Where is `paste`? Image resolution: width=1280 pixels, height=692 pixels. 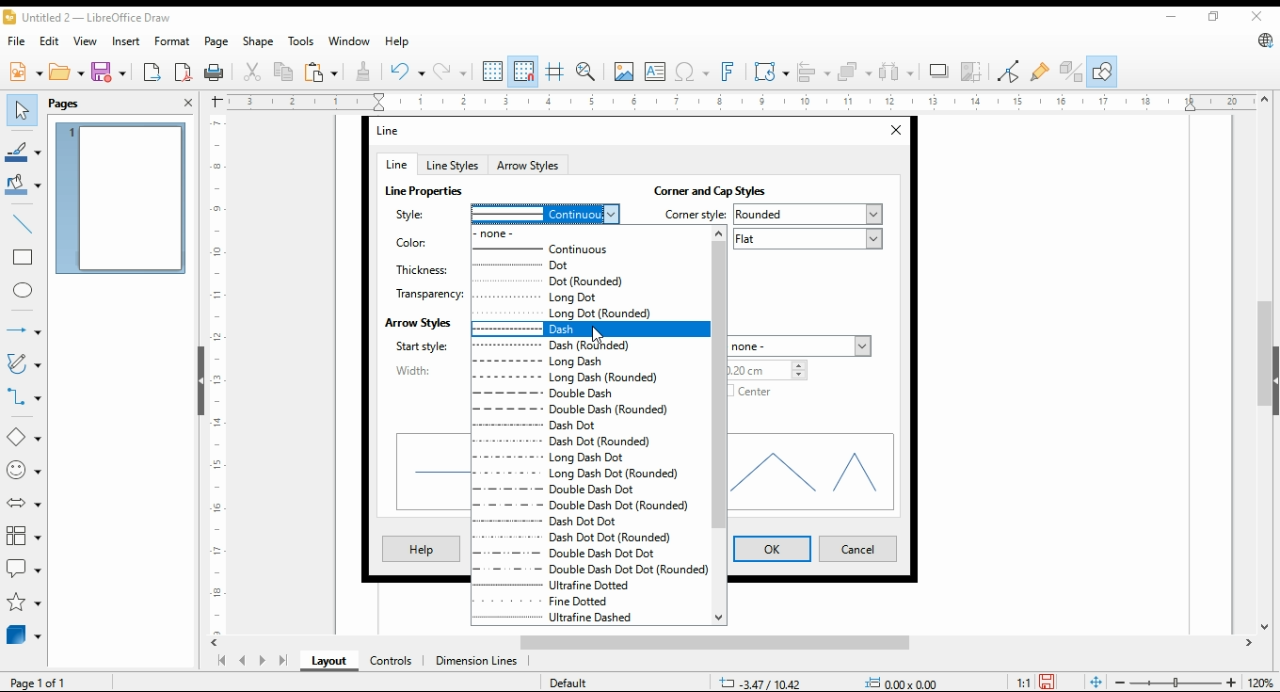
paste is located at coordinates (321, 71).